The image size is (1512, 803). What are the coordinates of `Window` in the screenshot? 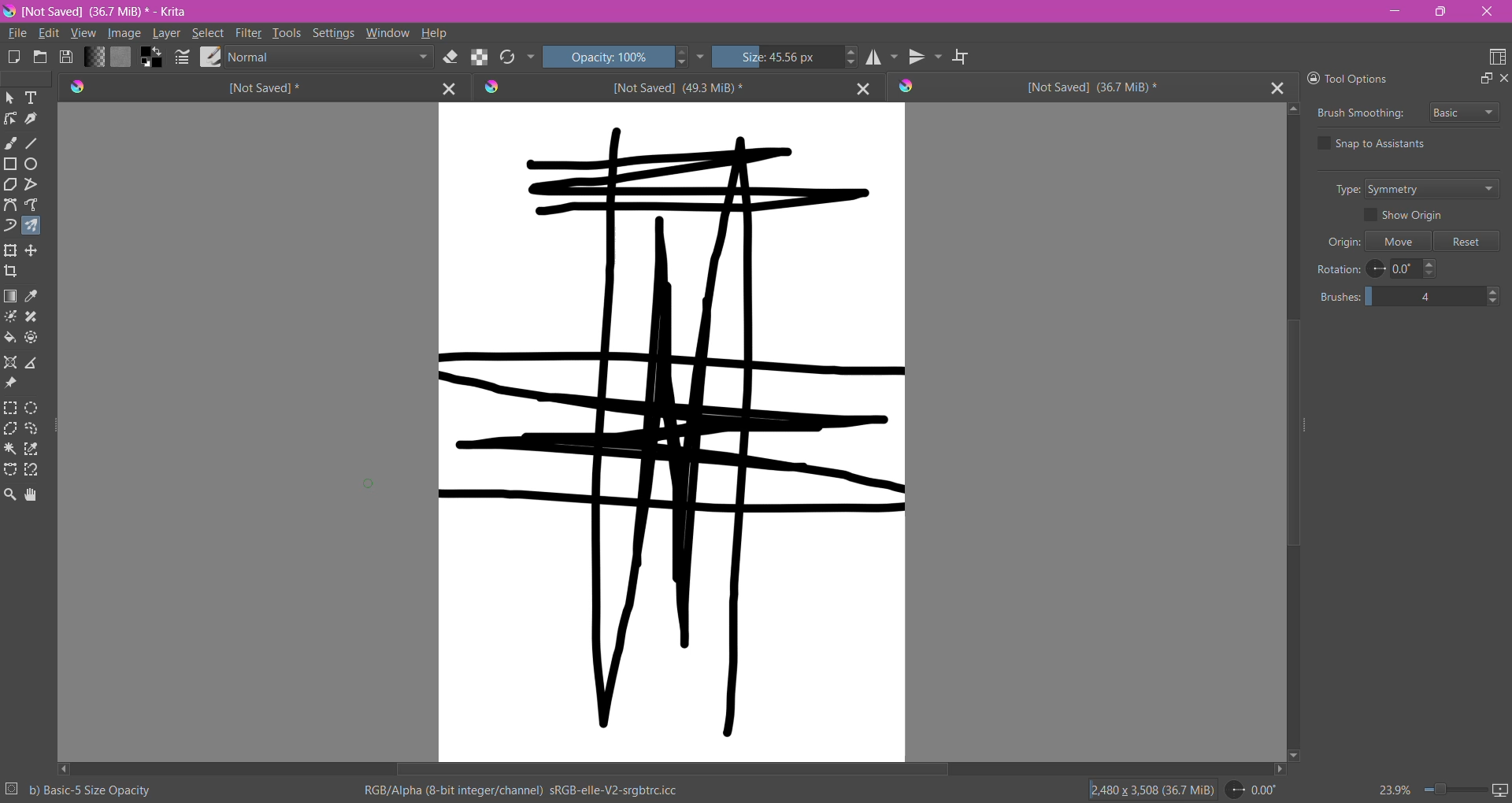 It's located at (388, 32).